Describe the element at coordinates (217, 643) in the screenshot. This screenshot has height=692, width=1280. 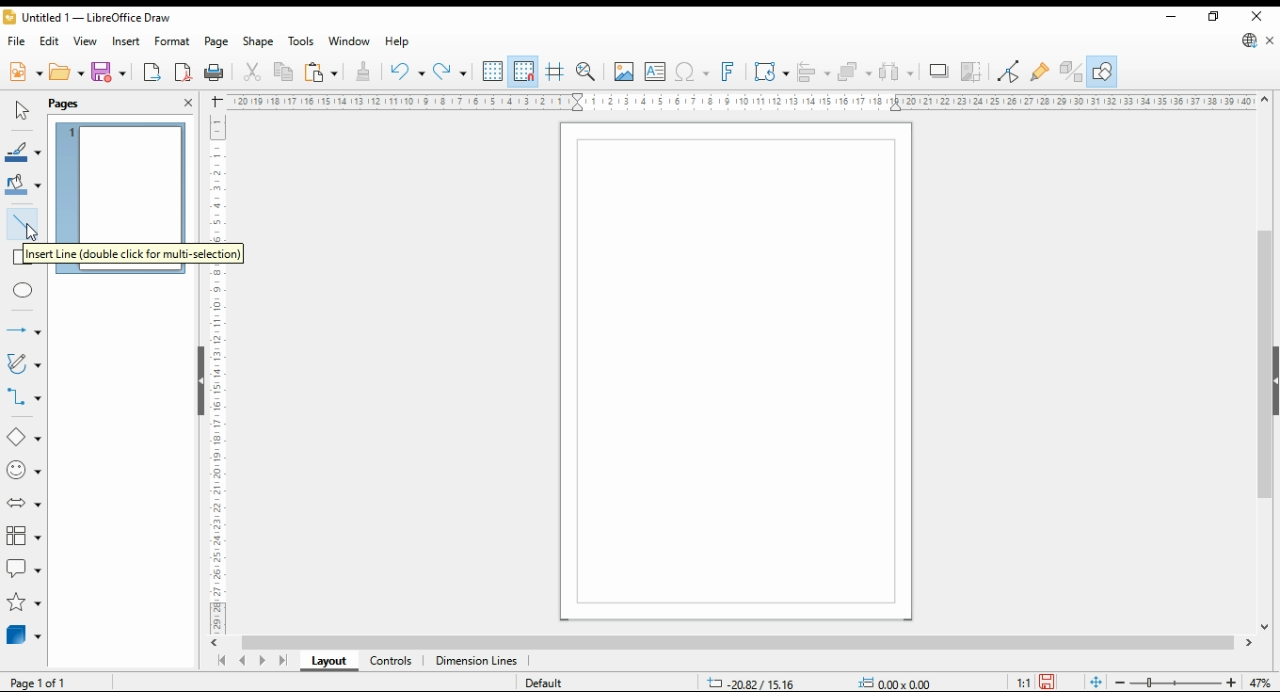
I see `move left` at that location.